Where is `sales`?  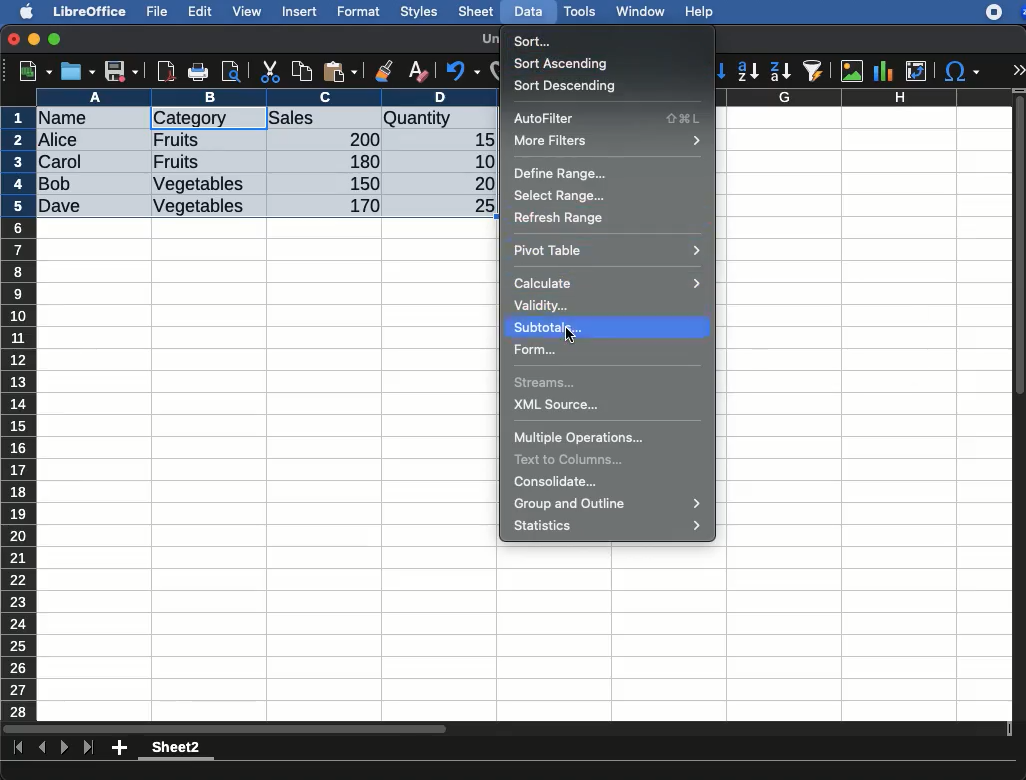
sales is located at coordinates (325, 119).